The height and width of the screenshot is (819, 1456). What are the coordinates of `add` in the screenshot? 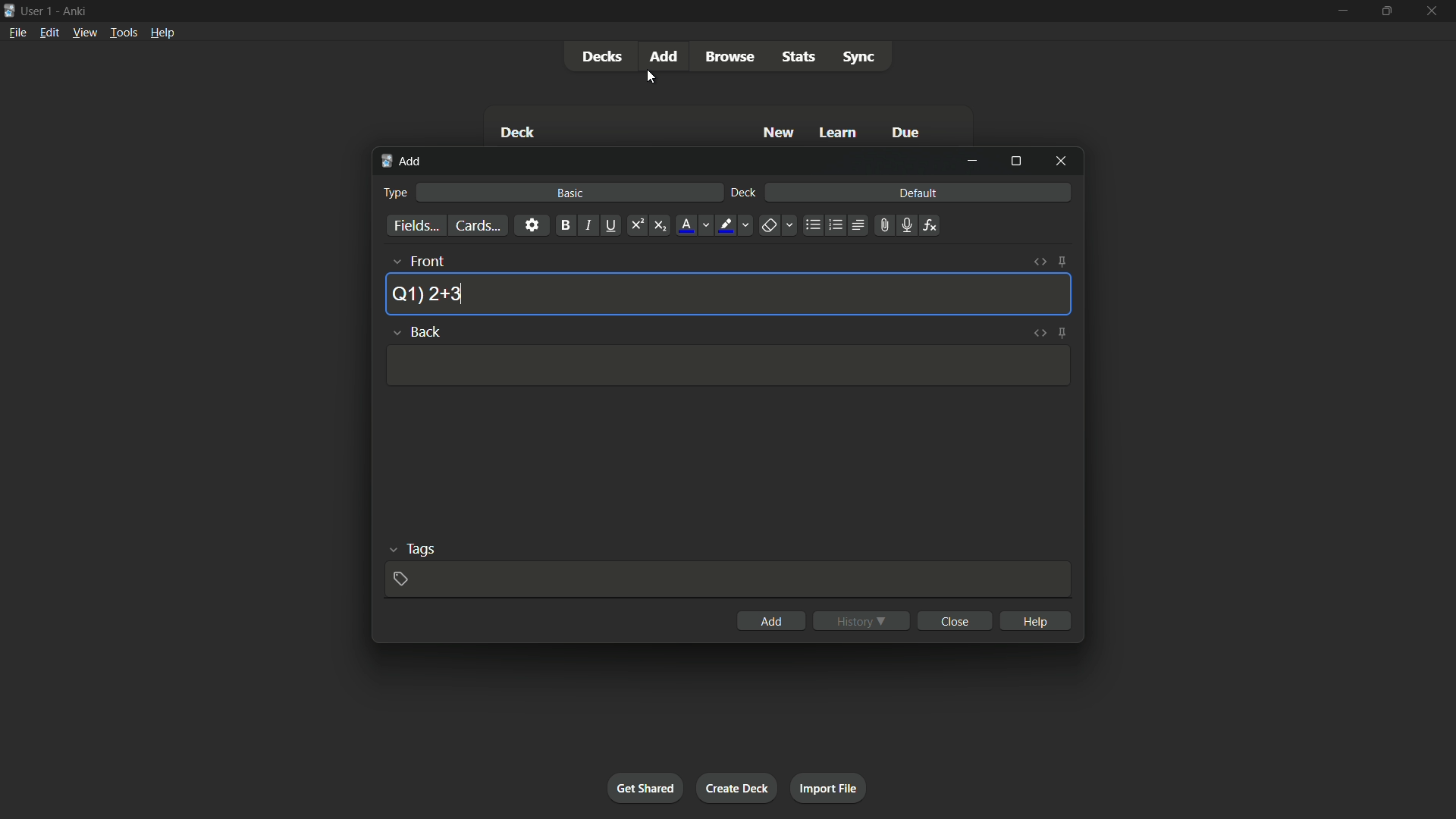 It's located at (667, 55).